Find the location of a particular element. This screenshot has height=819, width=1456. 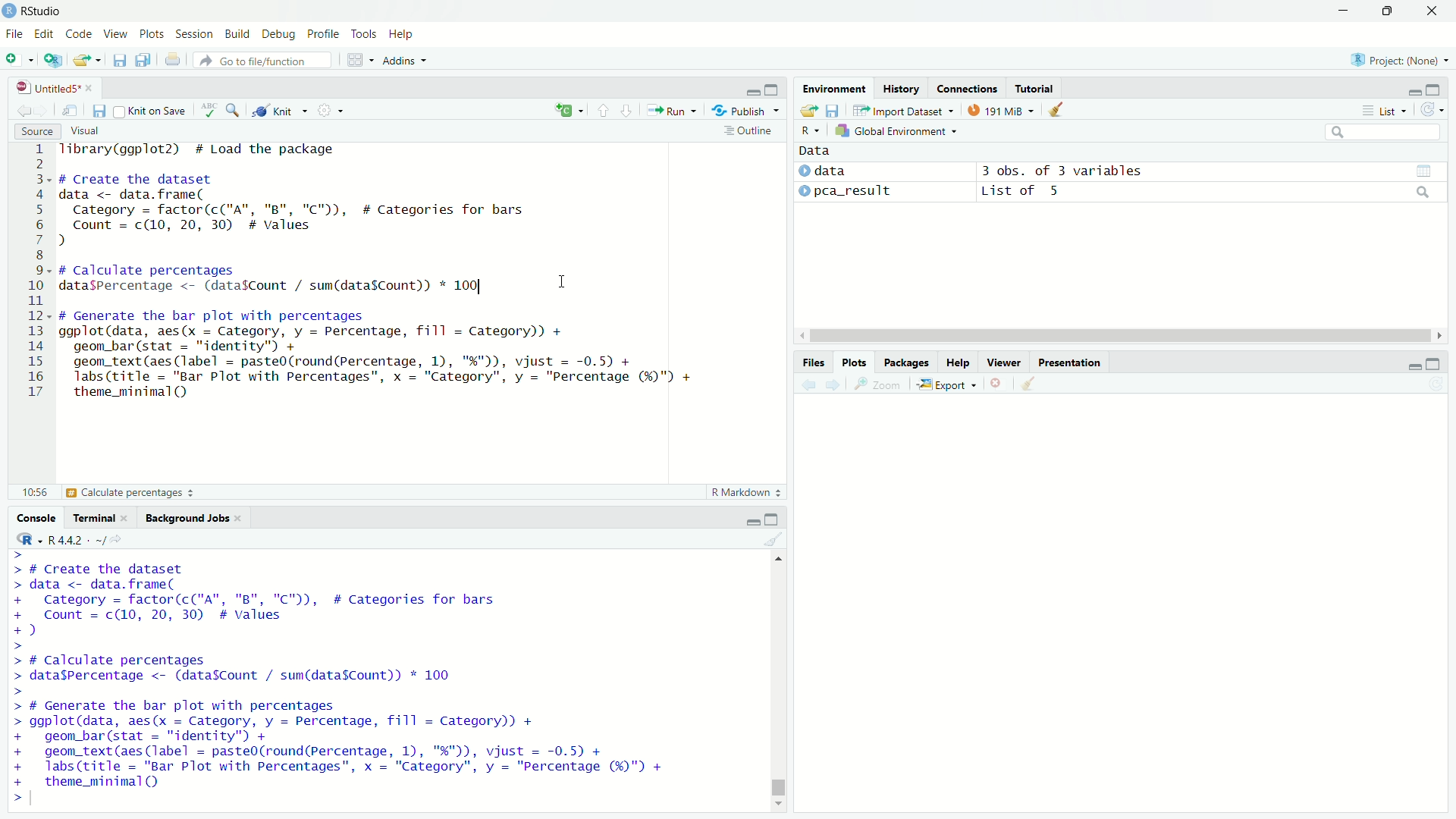

packages is located at coordinates (908, 362).